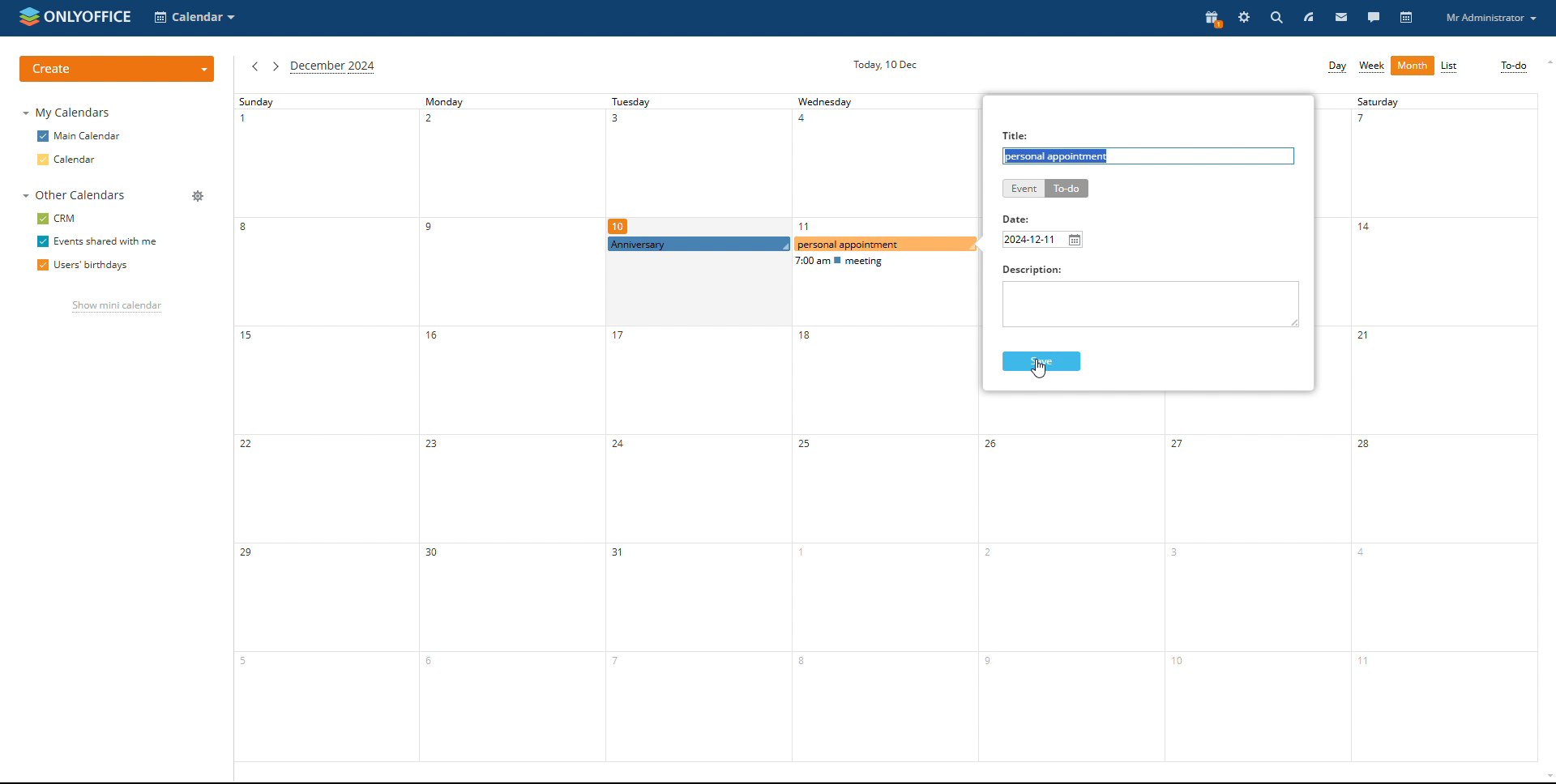  Describe the element at coordinates (28, 19) in the screenshot. I see `onlyoffice logo` at that location.